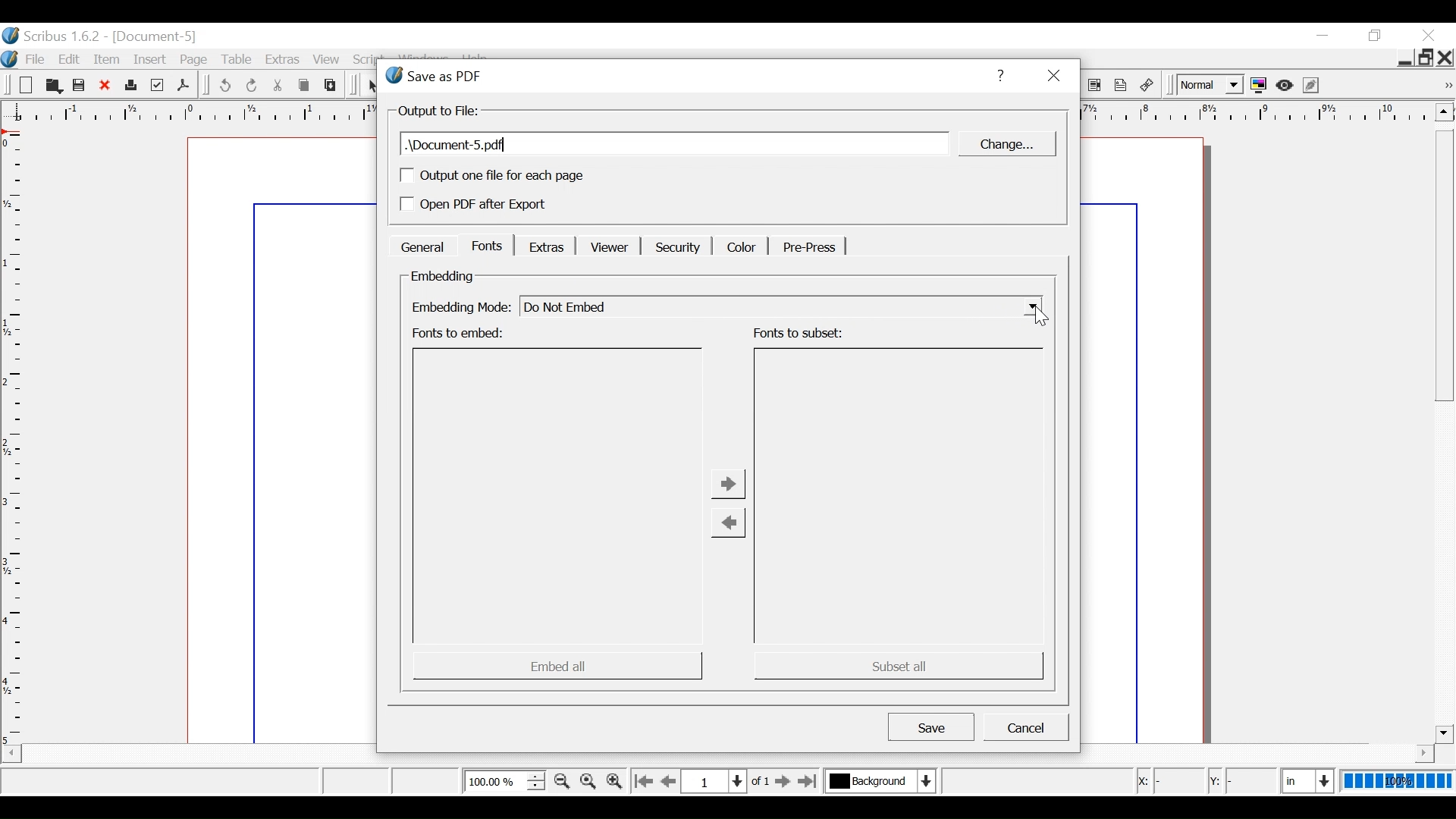 The width and height of the screenshot is (1456, 819). What do you see at coordinates (1208, 86) in the screenshot?
I see `Select the image preview quality` at bounding box center [1208, 86].